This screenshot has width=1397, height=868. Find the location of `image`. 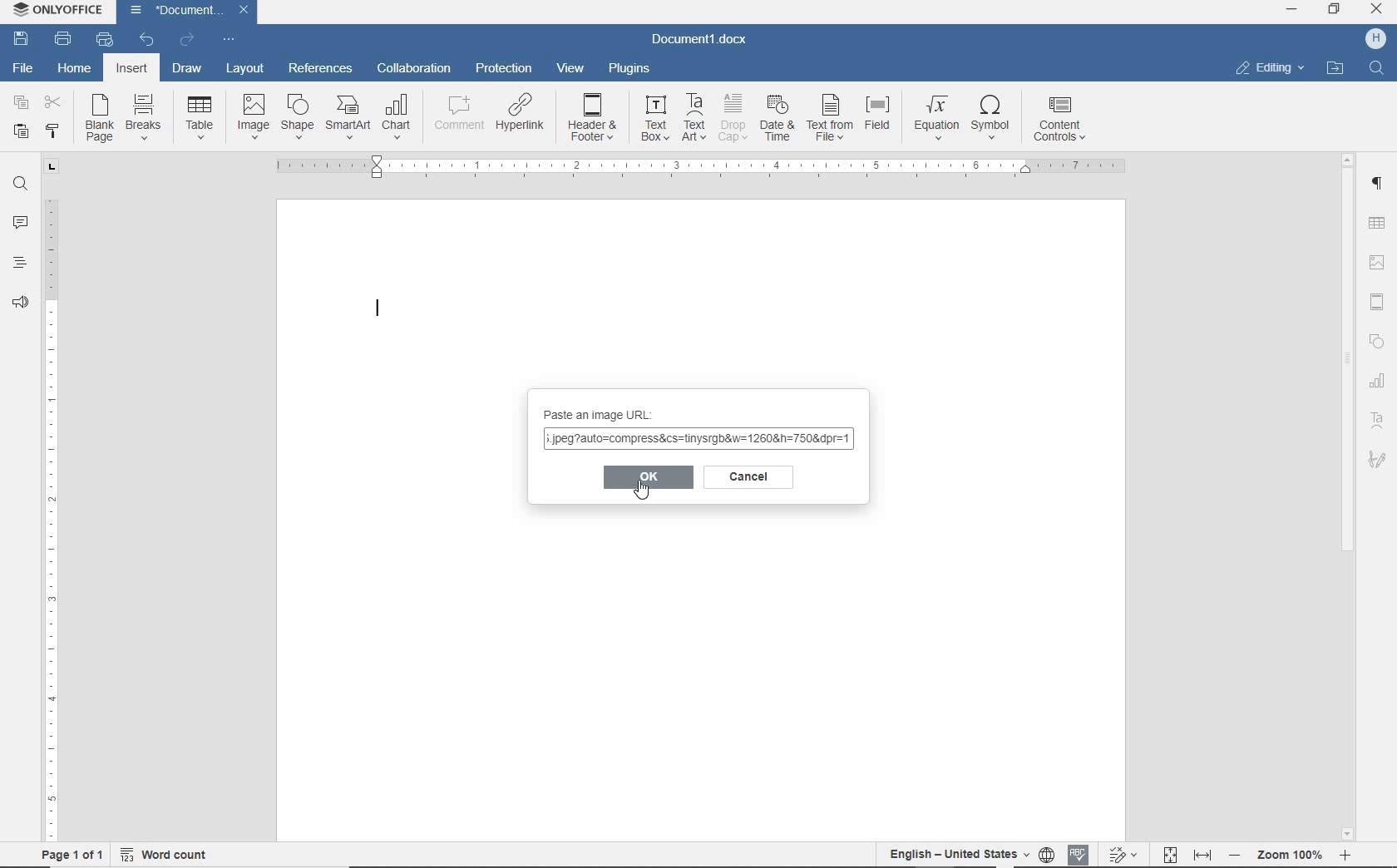

image is located at coordinates (253, 112).